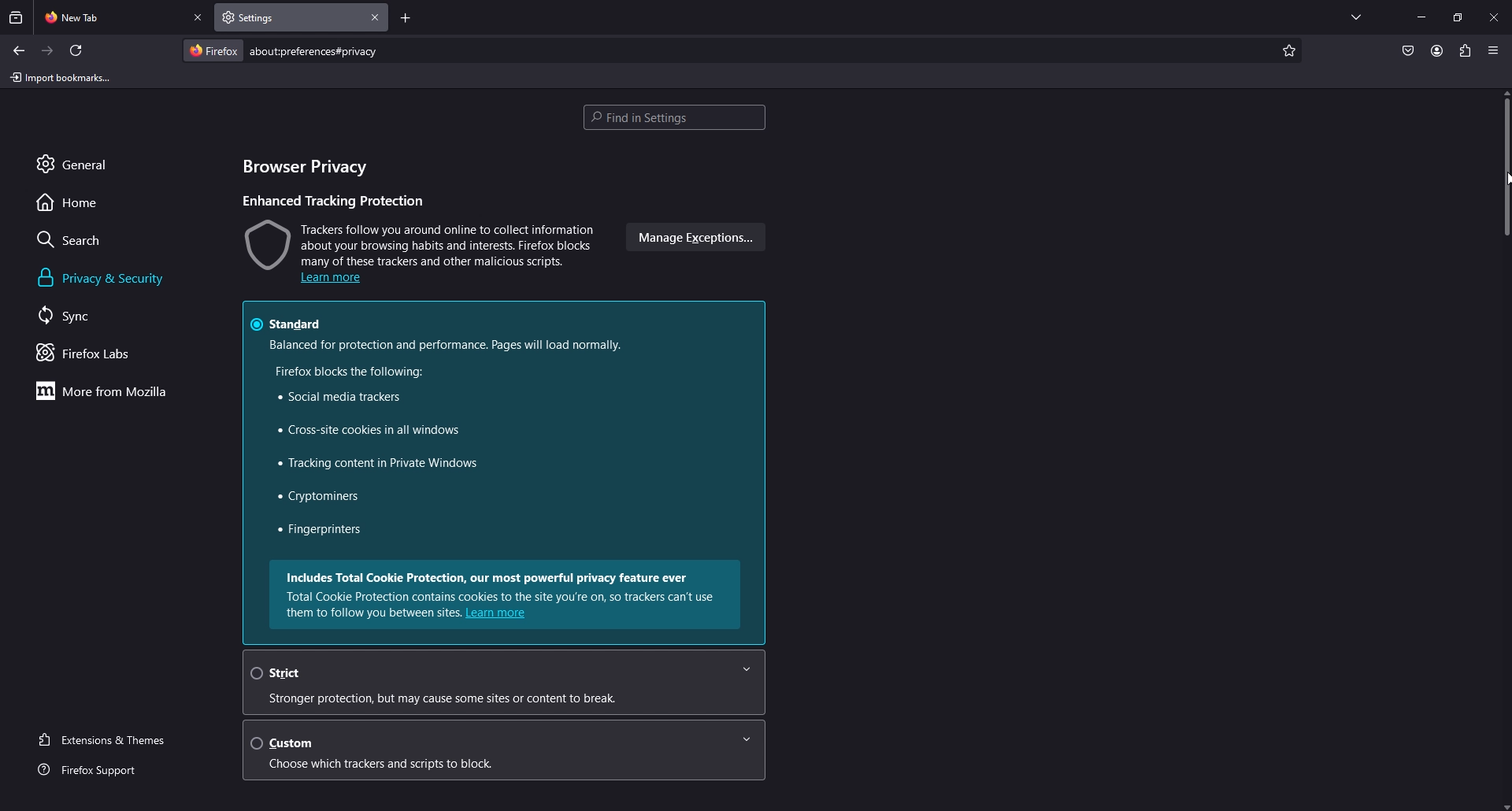  Describe the element at coordinates (48, 51) in the screenshot. I see `forward` at that location.